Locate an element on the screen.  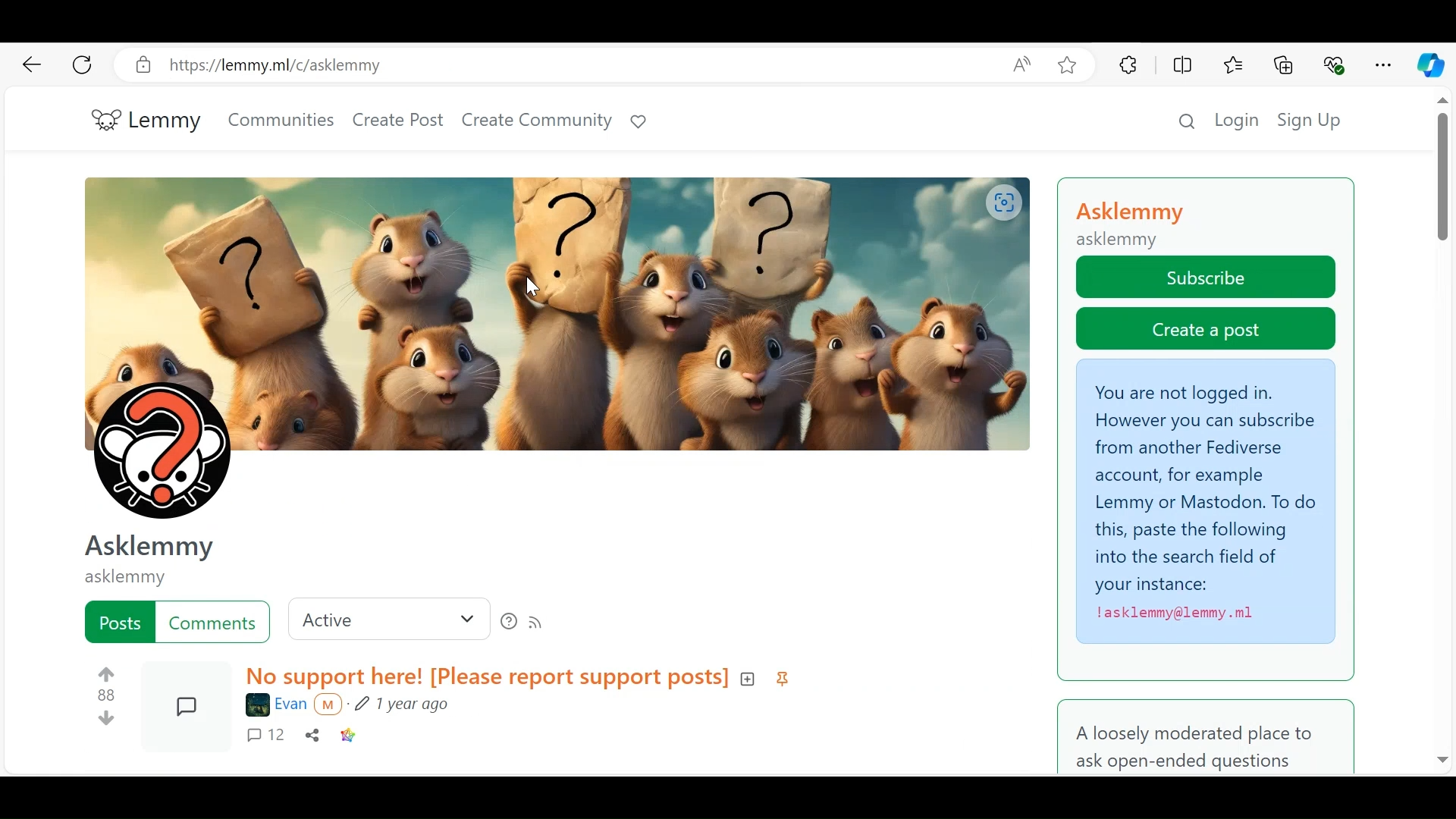
settings and more is located at coordinates (1382, 65).